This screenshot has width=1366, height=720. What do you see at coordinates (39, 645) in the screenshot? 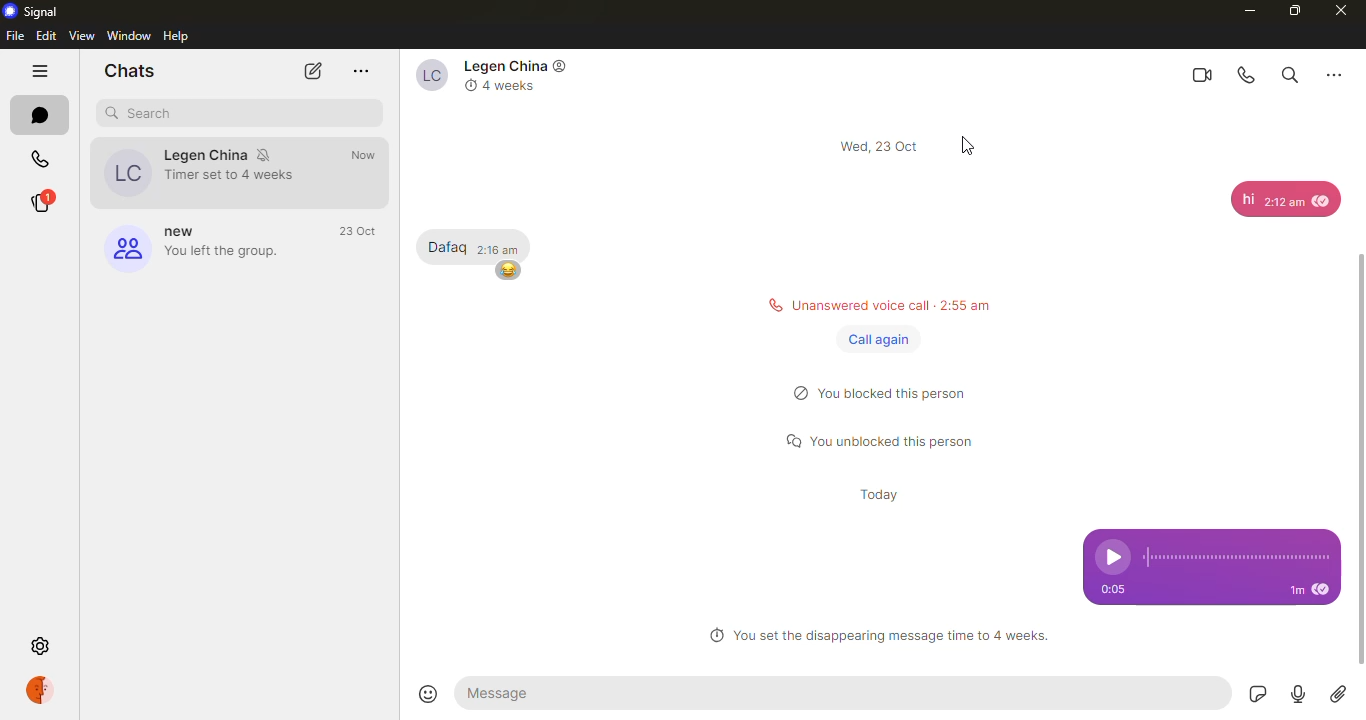
I see `settings` at bounding box center [39, 645].